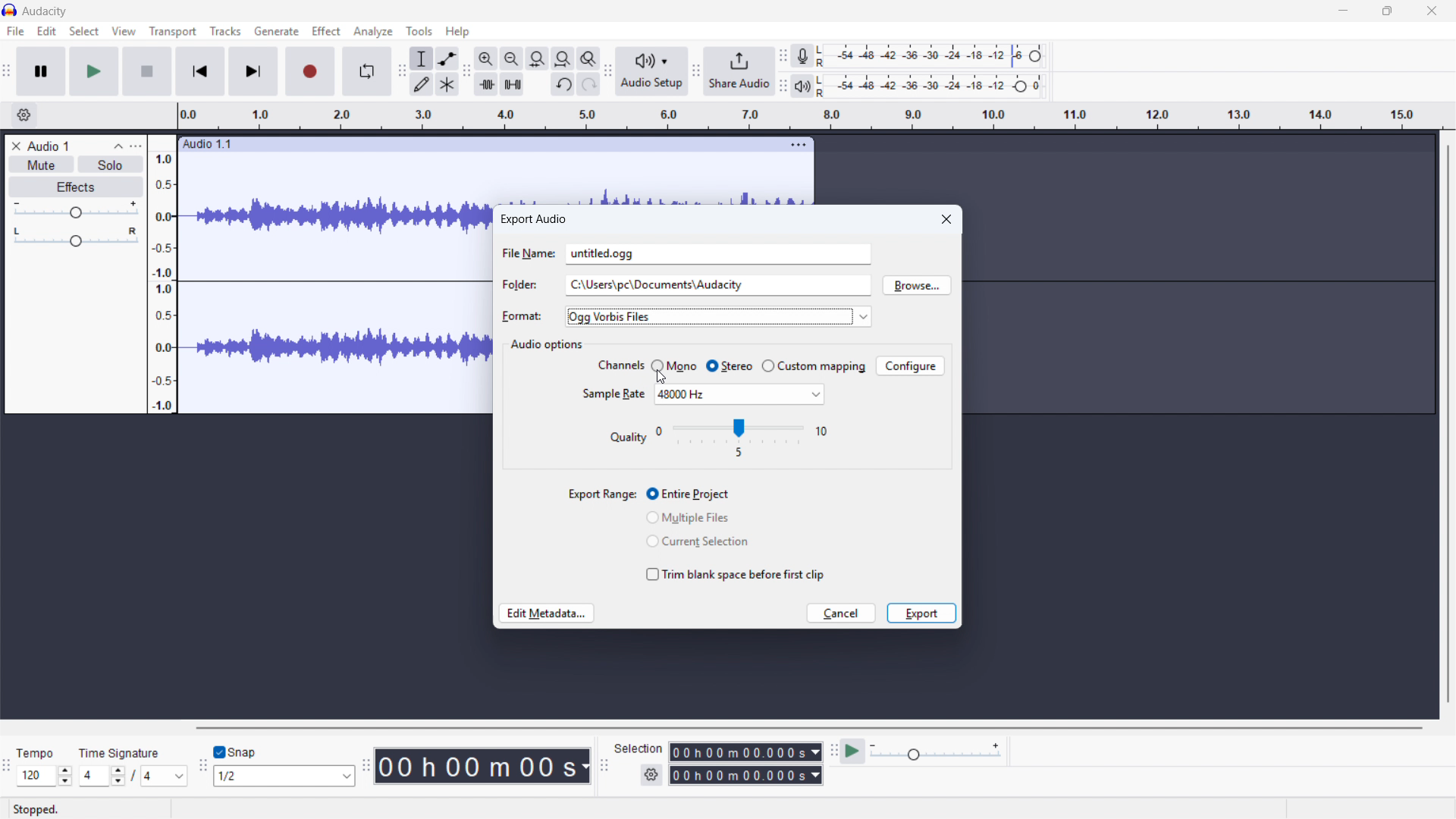 The height and width of the screenshot is (819, 1456). What do you see at coordinates (421, 58) in the screenshot?
I see `Selection tool ` at bounding box center [421, 58].